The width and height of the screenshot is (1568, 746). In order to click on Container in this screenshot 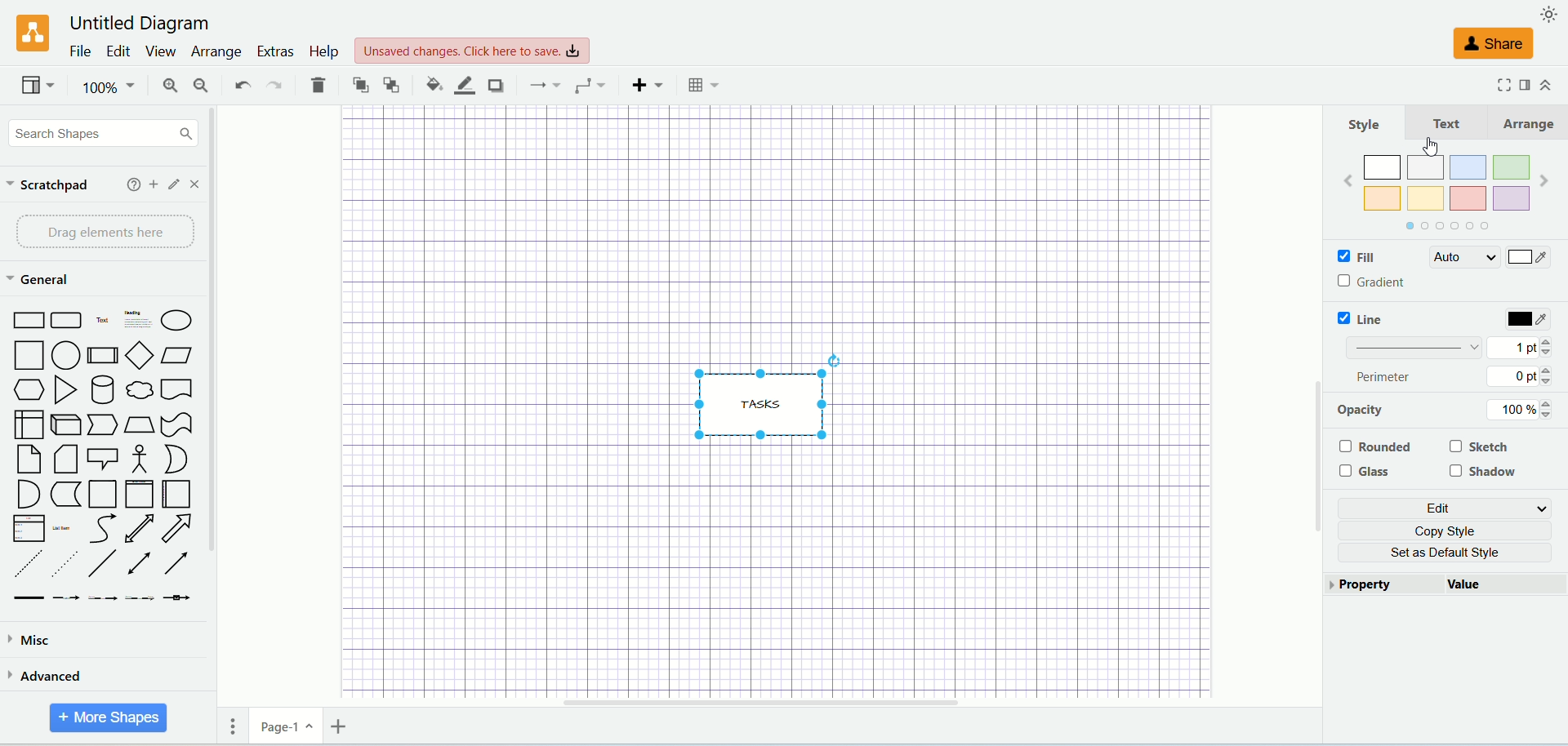, I will do `click(102, 494)`.